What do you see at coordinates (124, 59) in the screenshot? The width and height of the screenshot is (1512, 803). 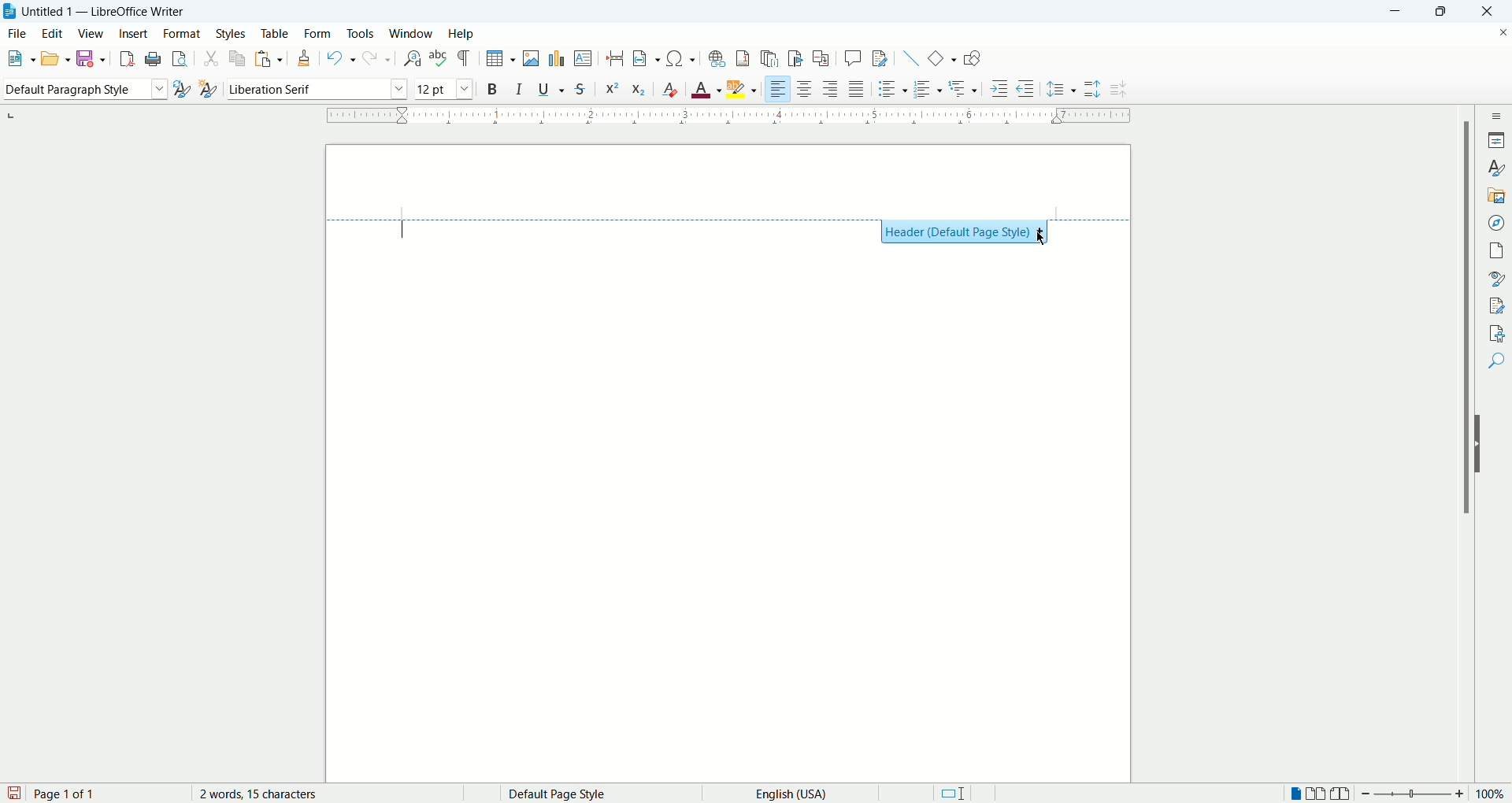 I see `export as pdf` at bounding box center [124, 59].